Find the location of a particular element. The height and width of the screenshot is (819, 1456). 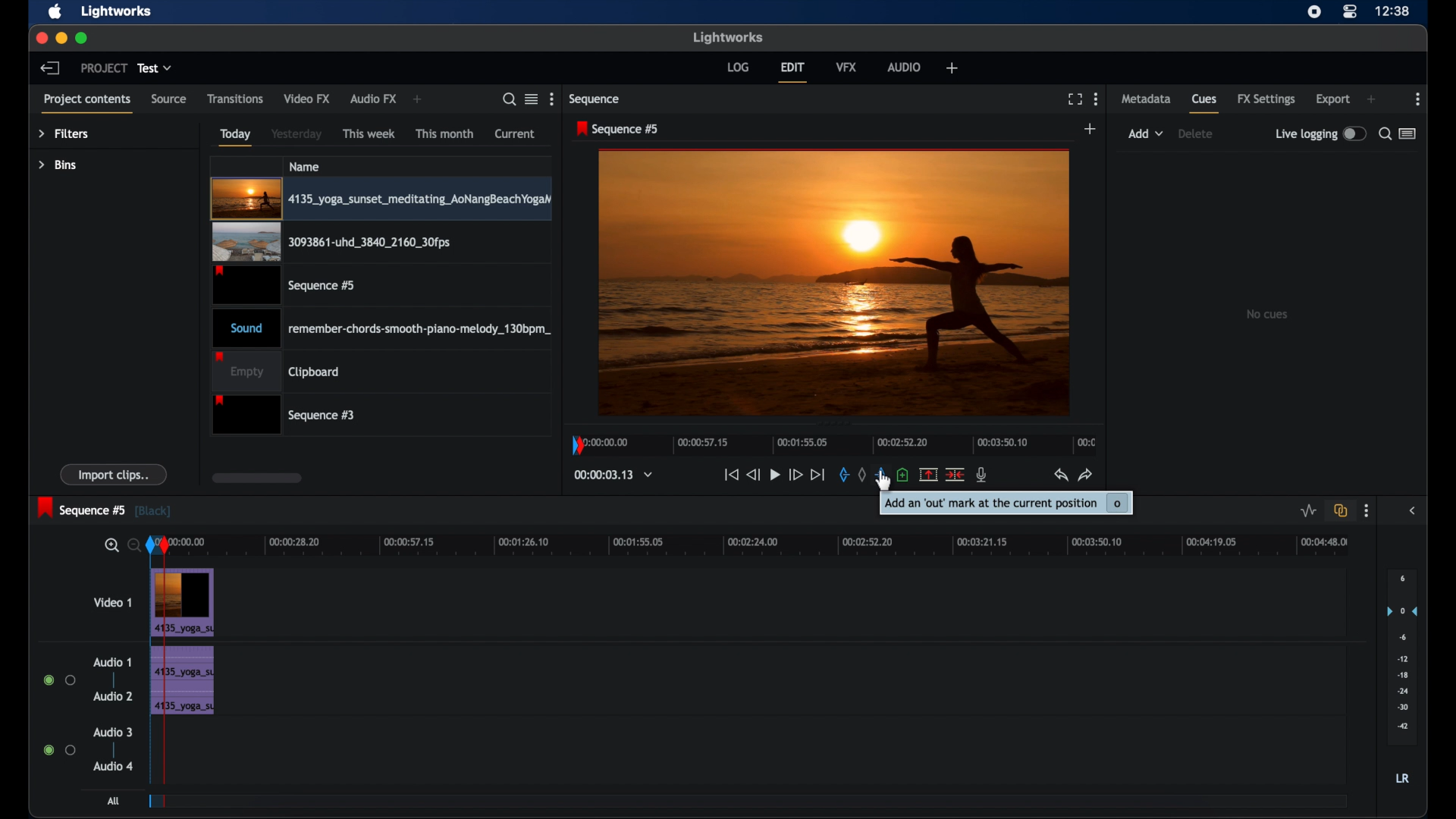

name is located at coordinates (305, 166).